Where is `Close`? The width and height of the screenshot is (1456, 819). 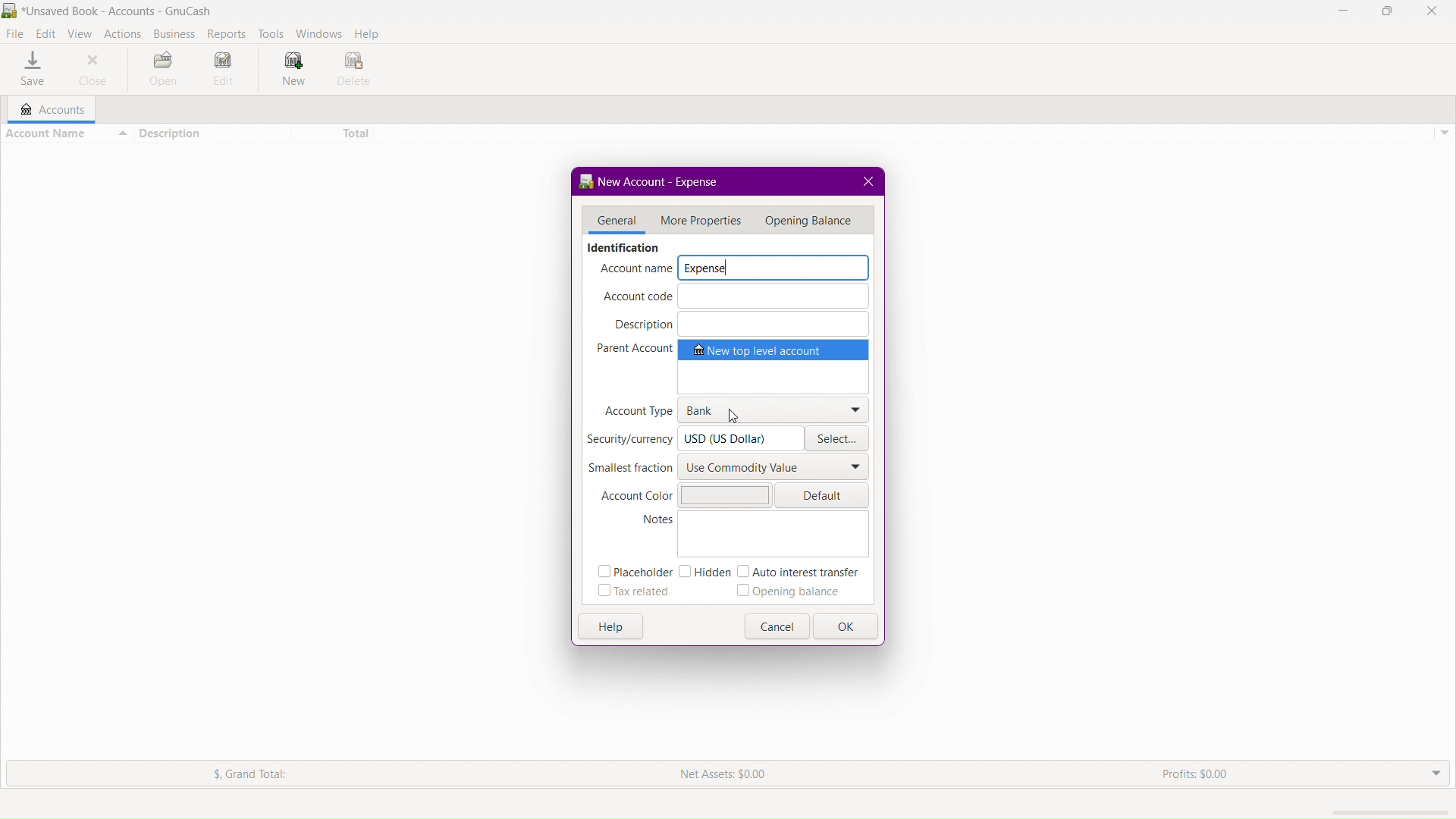 Close is located at coordinates (1432, 11).